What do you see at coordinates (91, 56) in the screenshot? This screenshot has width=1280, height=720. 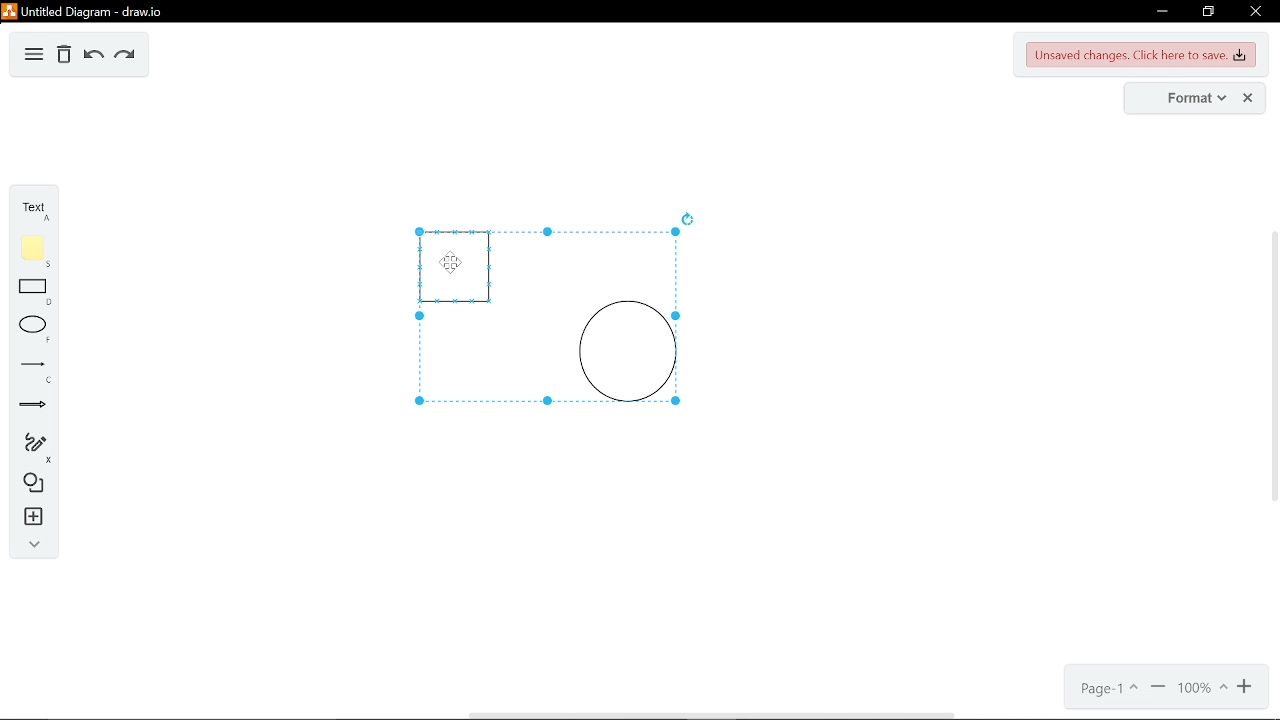 I see `undo` at bounding box center [91, 56].